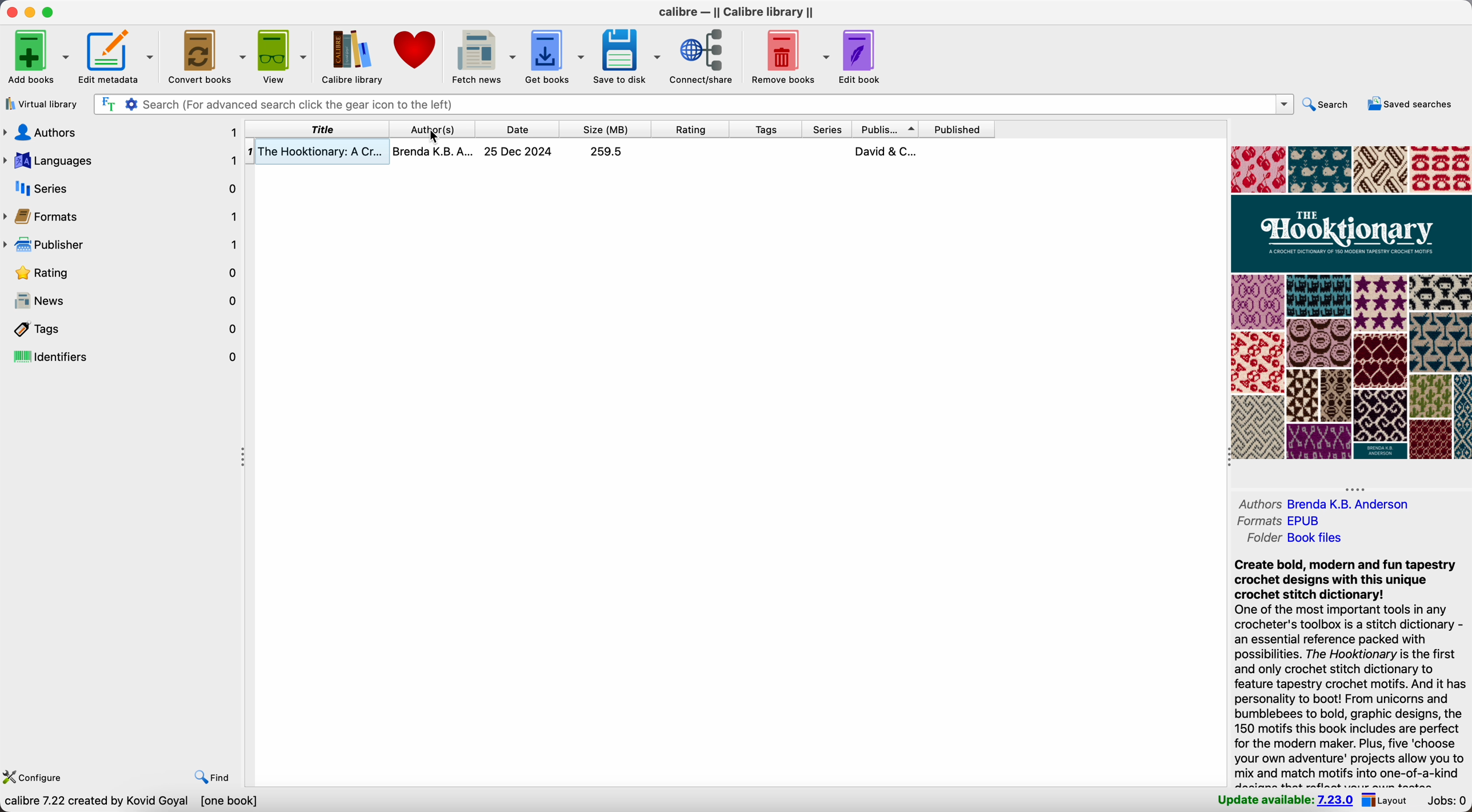 Image resolution: width=1472 pixels, height=812 pixels. I want to click on edit metadata, so click(117, 54).